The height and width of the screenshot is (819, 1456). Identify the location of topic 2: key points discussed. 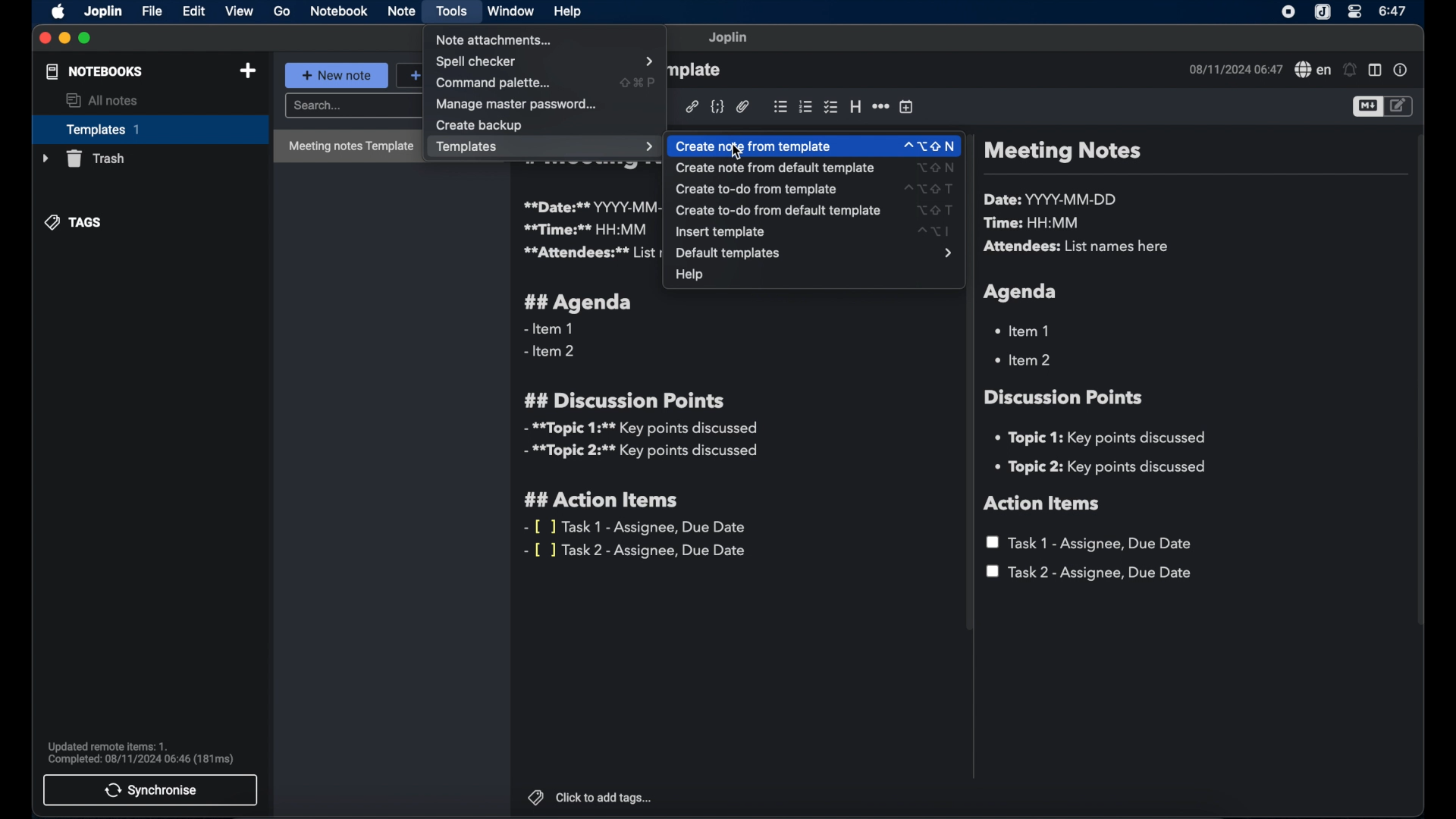
(1102, 467).